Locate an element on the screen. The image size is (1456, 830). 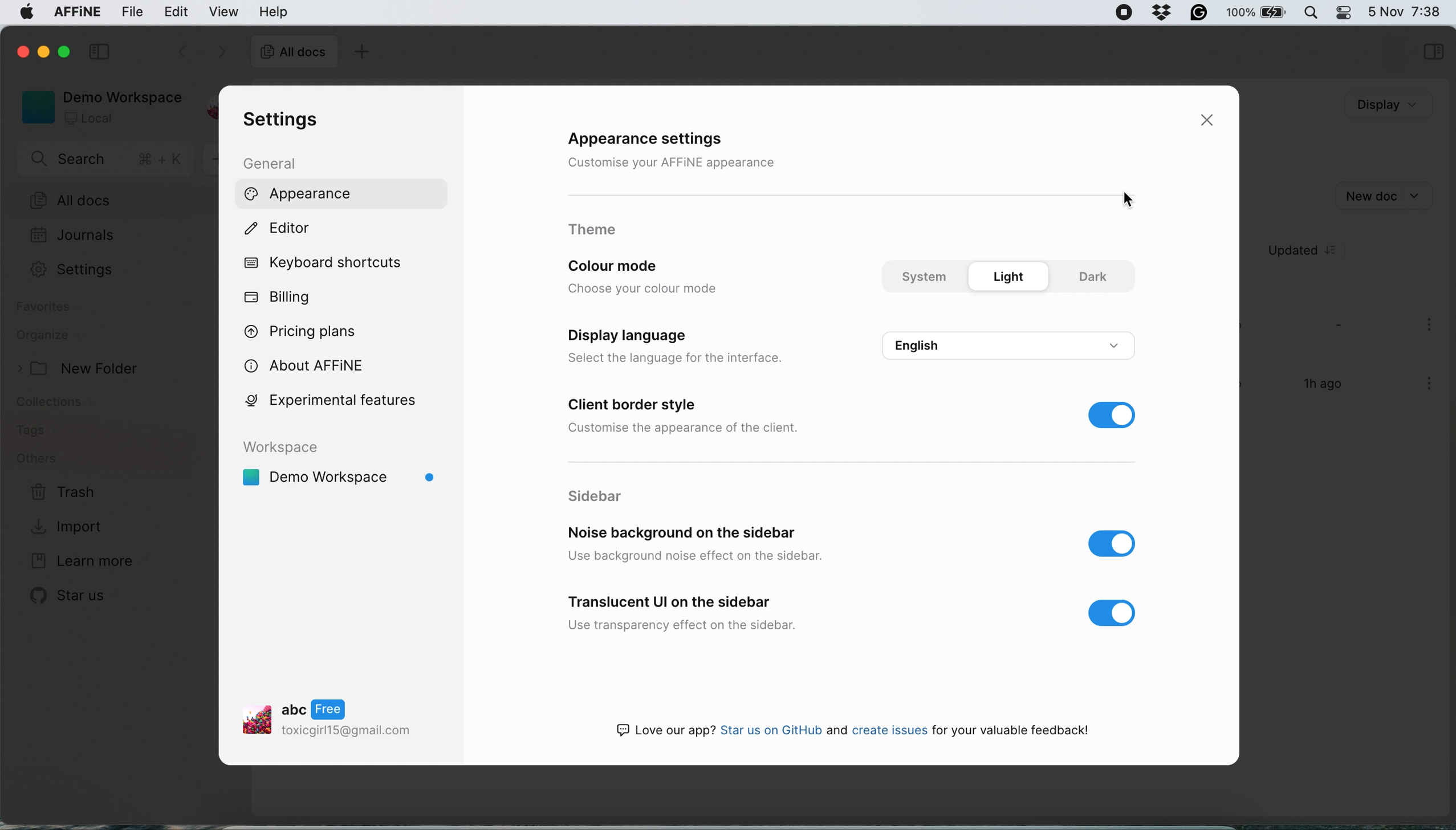
customise your affine appearance is located at coordinates (697, 164).